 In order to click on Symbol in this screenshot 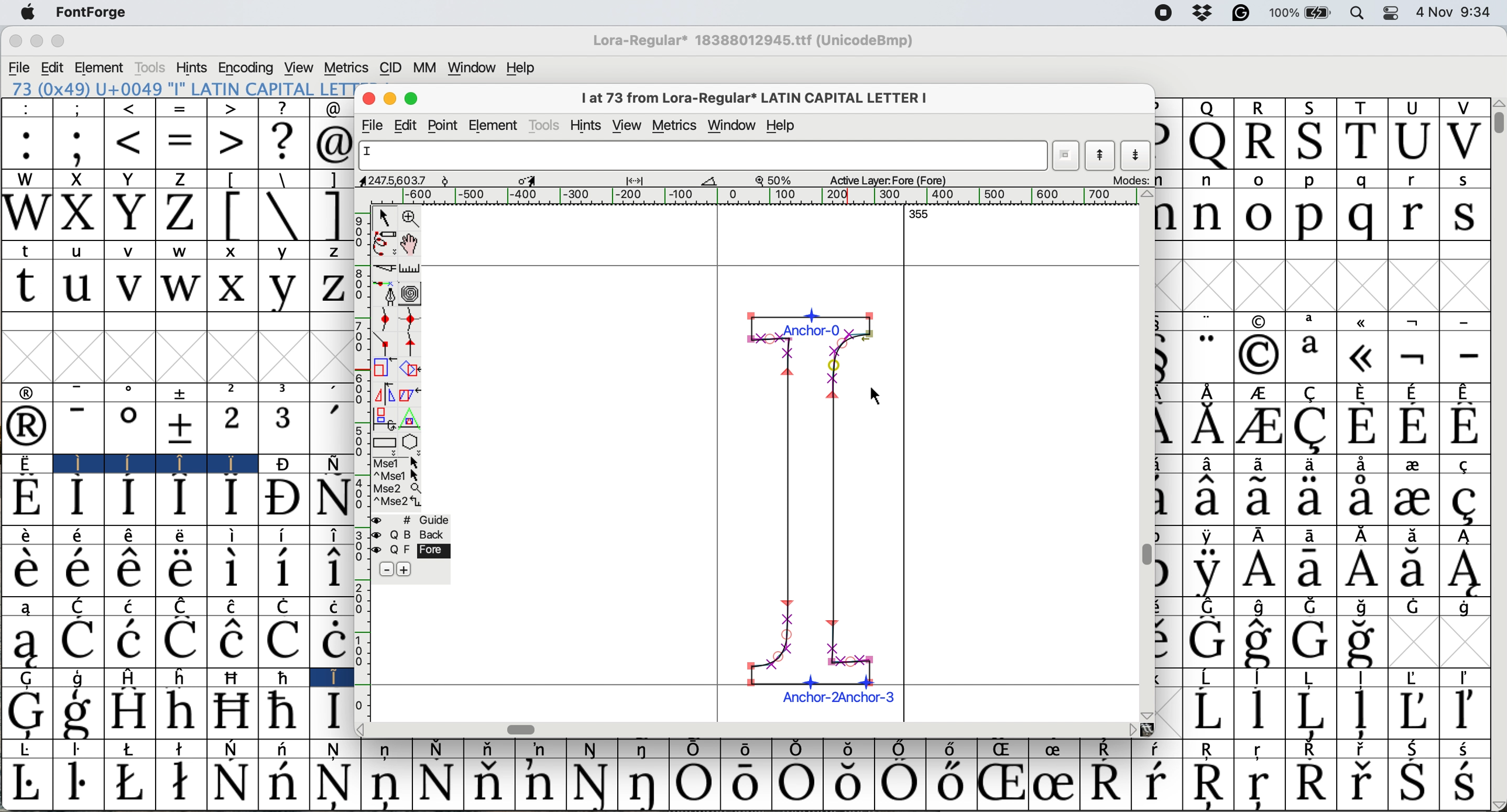, I will do `click(231, 642)`.